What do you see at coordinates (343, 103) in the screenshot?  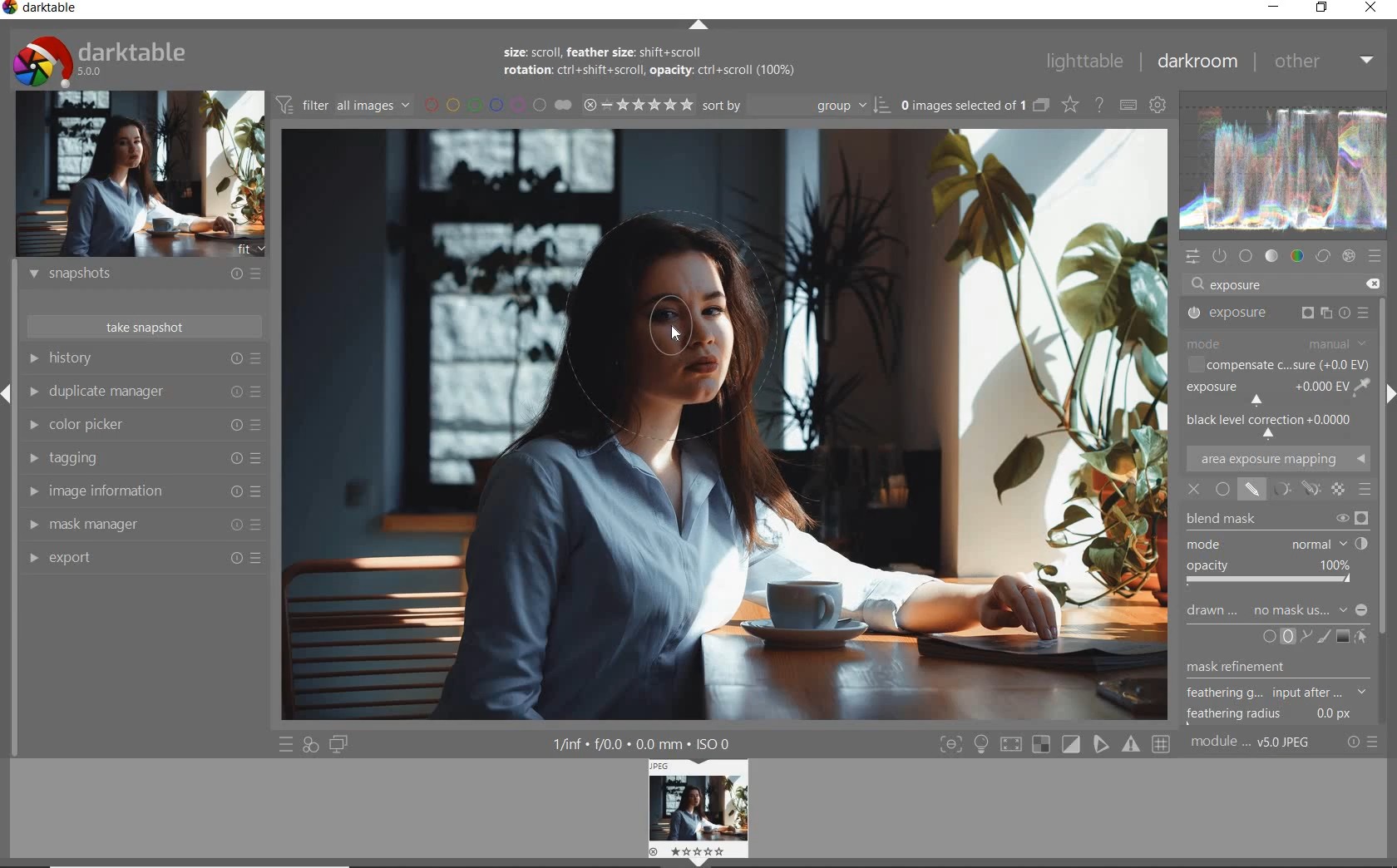 I see `filter images based on their modules` at bounding box center [343, 103].